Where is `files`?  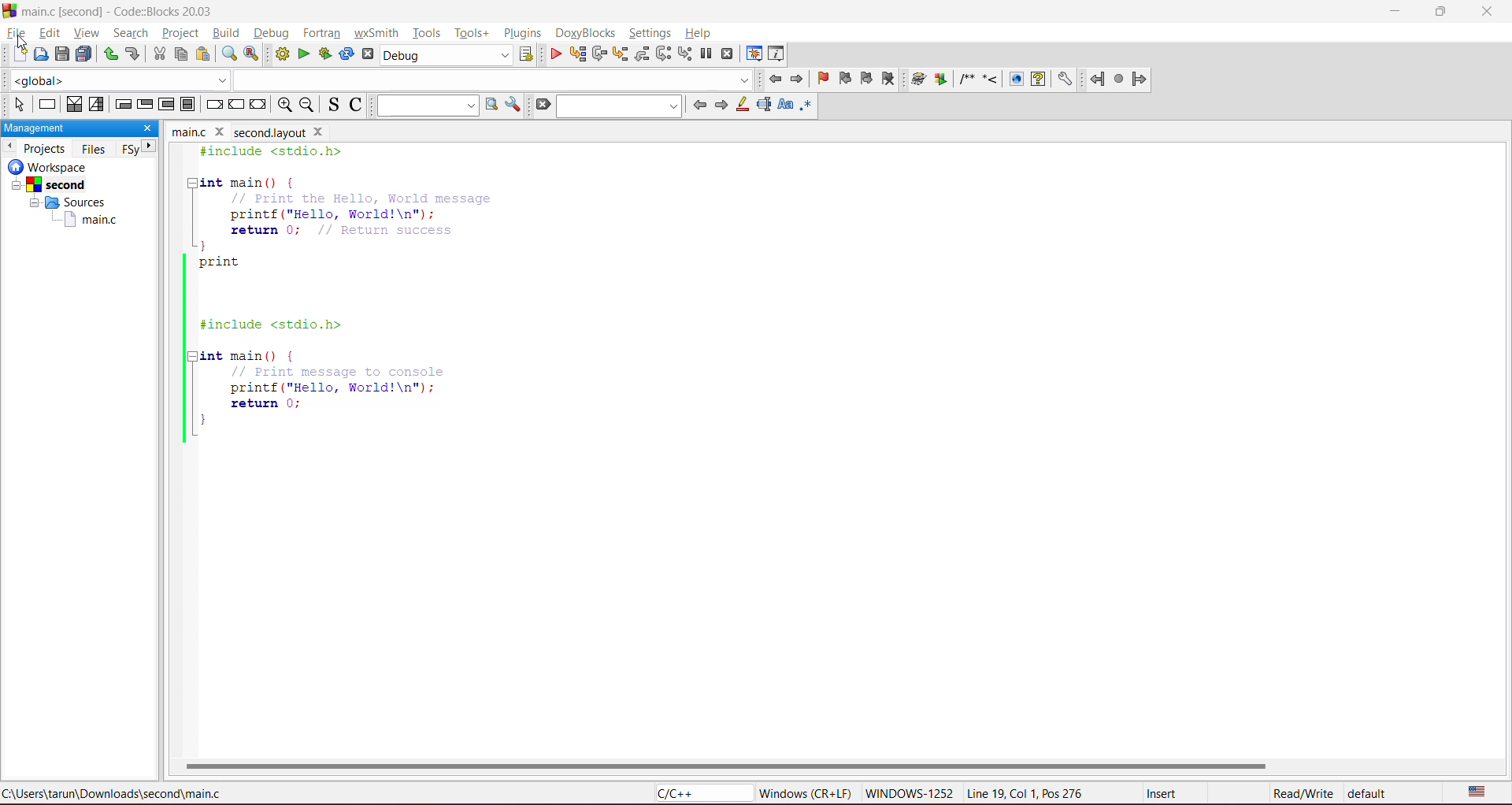
files is located at coordinates (94, 149).